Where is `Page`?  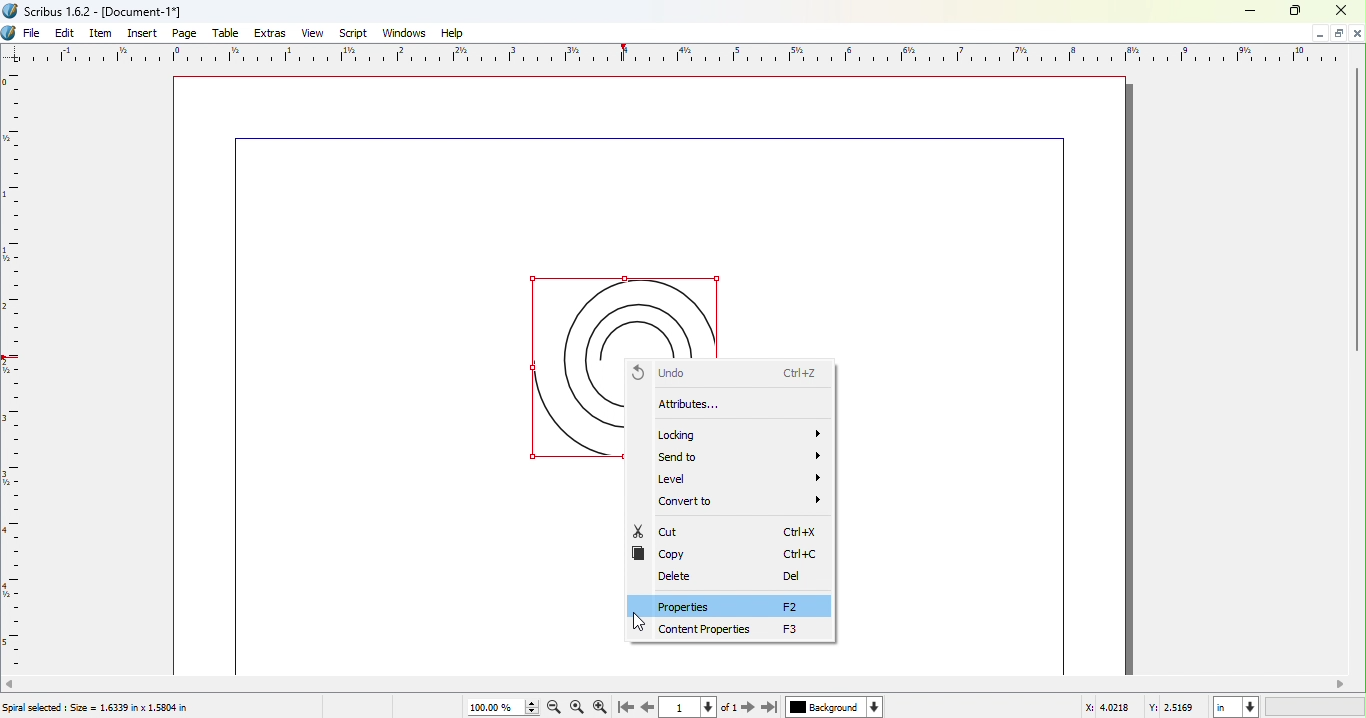 Page is located at coordinates (186, 33).